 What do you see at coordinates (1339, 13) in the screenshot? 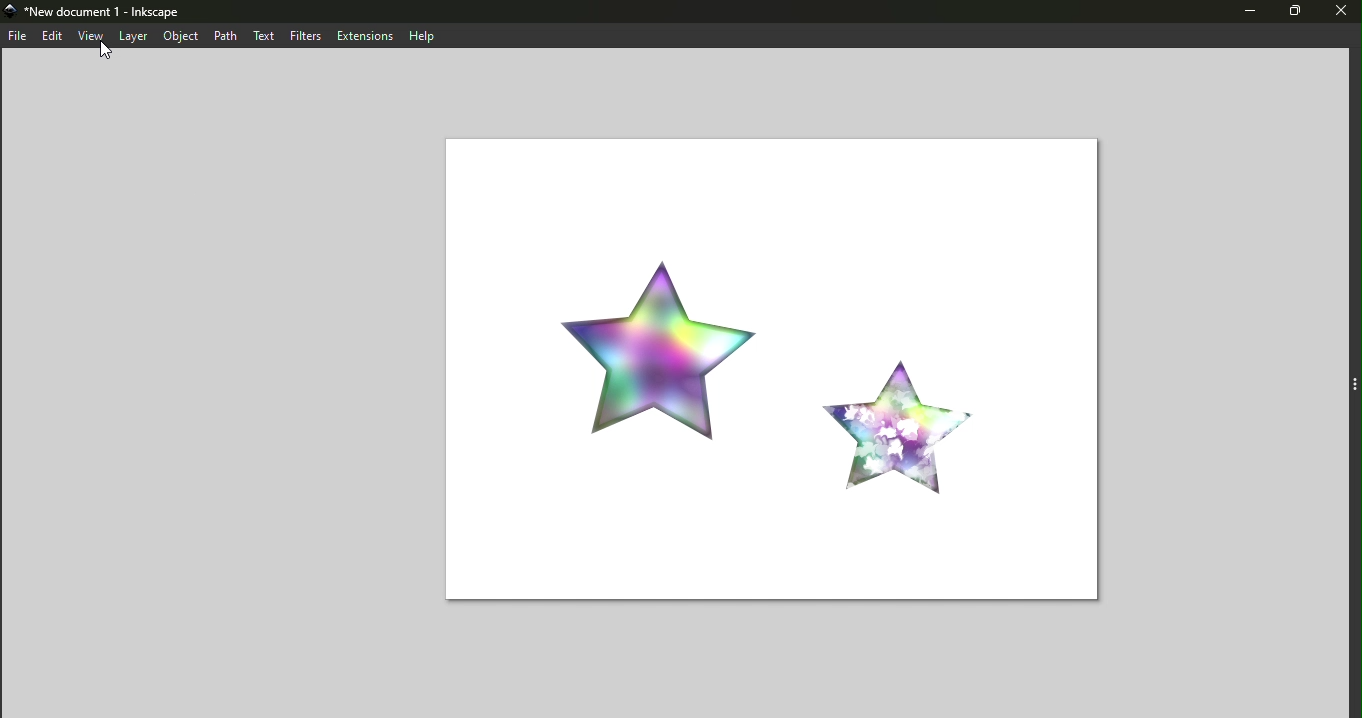
I see `Close` at bounding box center [1339, 13].